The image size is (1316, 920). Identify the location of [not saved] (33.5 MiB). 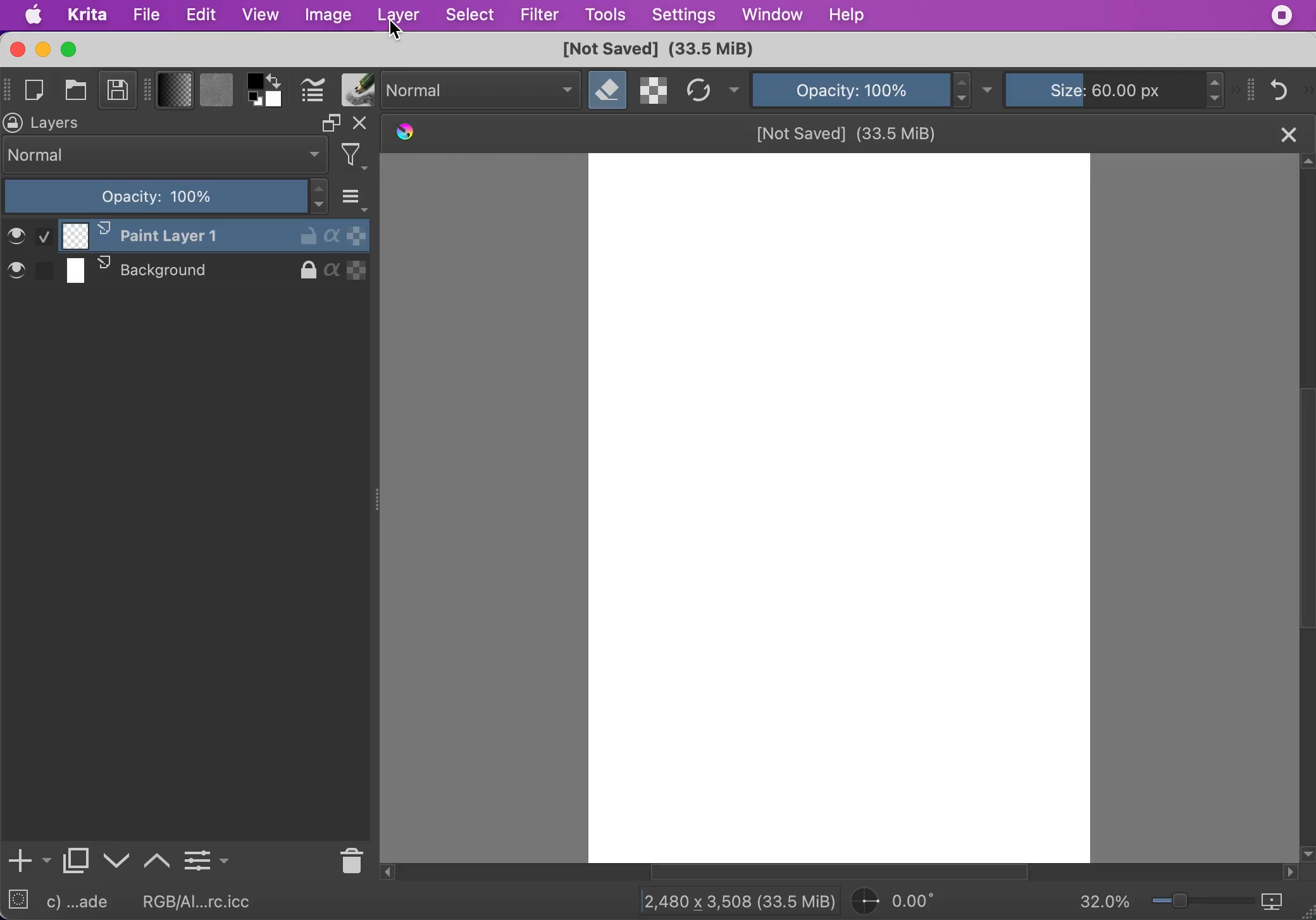
(655, 50).